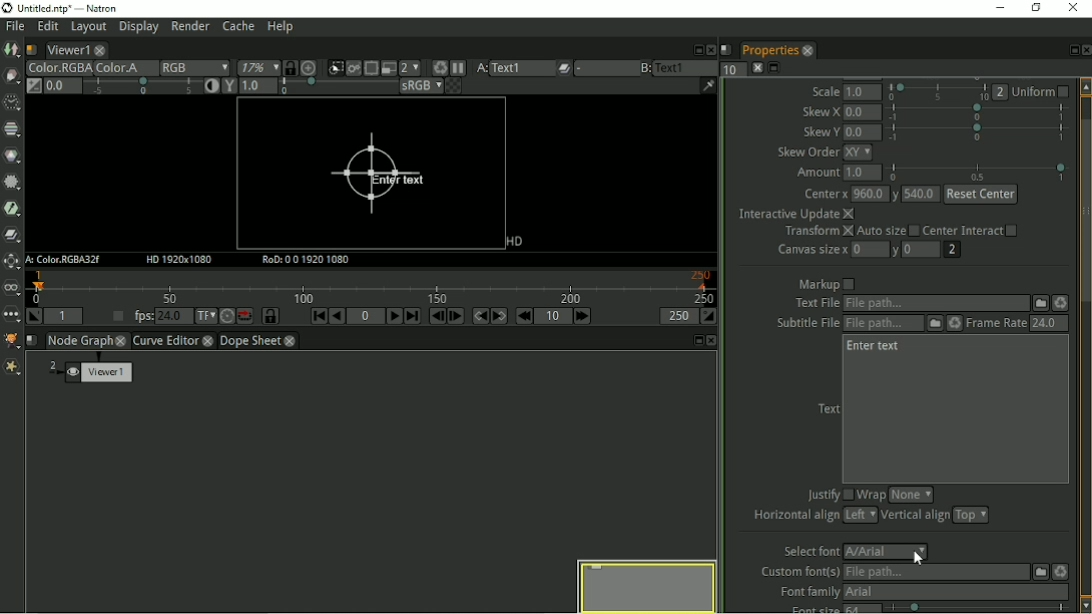 This screenshot has width=1092, height=614. What do you see at coordinates (1043, 91) in the screenshot?
I see `Uniform` at bounding box center [1043, 91].